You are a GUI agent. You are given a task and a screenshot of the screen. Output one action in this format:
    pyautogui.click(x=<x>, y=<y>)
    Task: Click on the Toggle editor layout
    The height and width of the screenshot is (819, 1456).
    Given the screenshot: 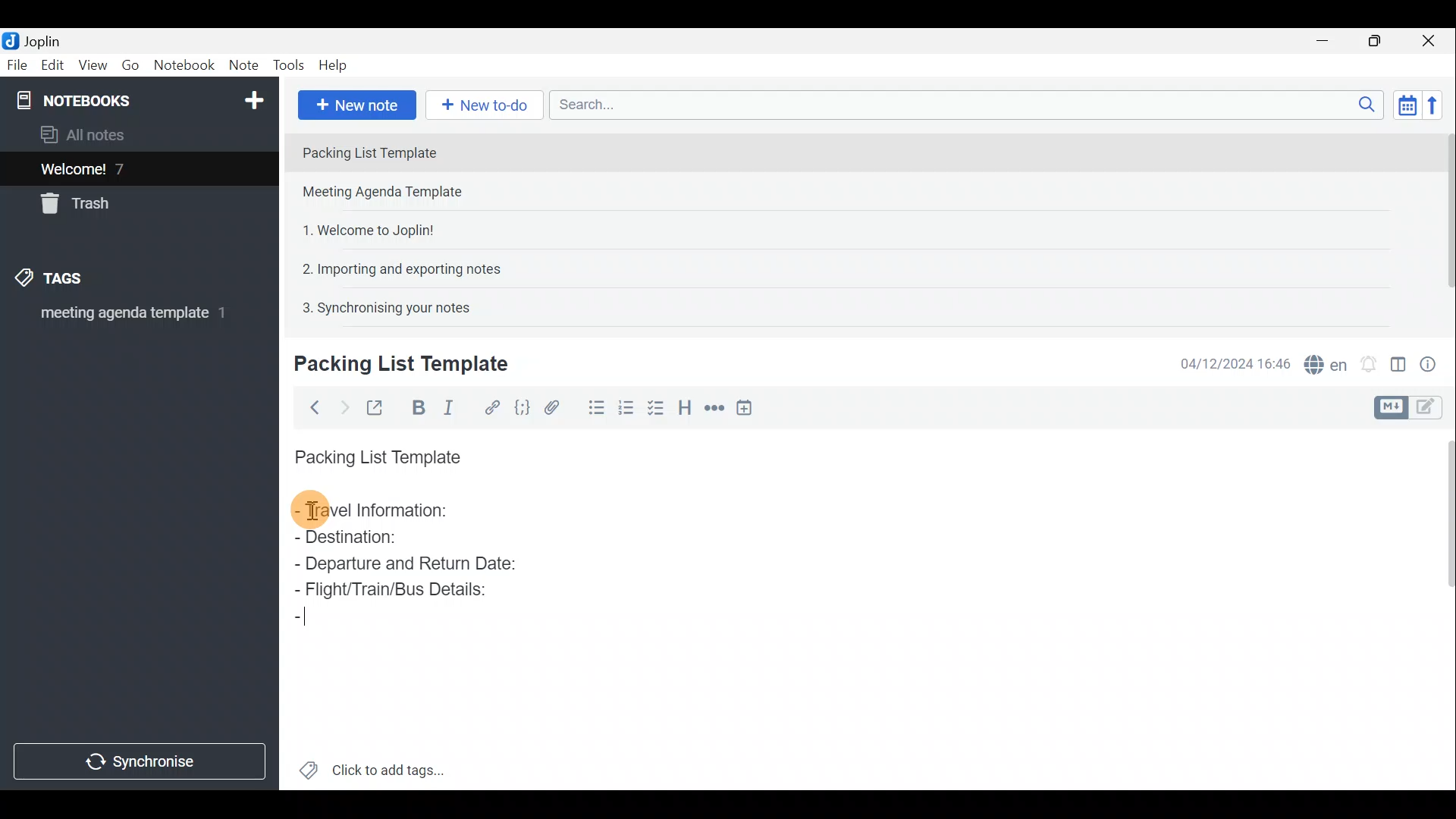 What is the action you would take?
    pyautogui.click(x=1398, y=359)
    